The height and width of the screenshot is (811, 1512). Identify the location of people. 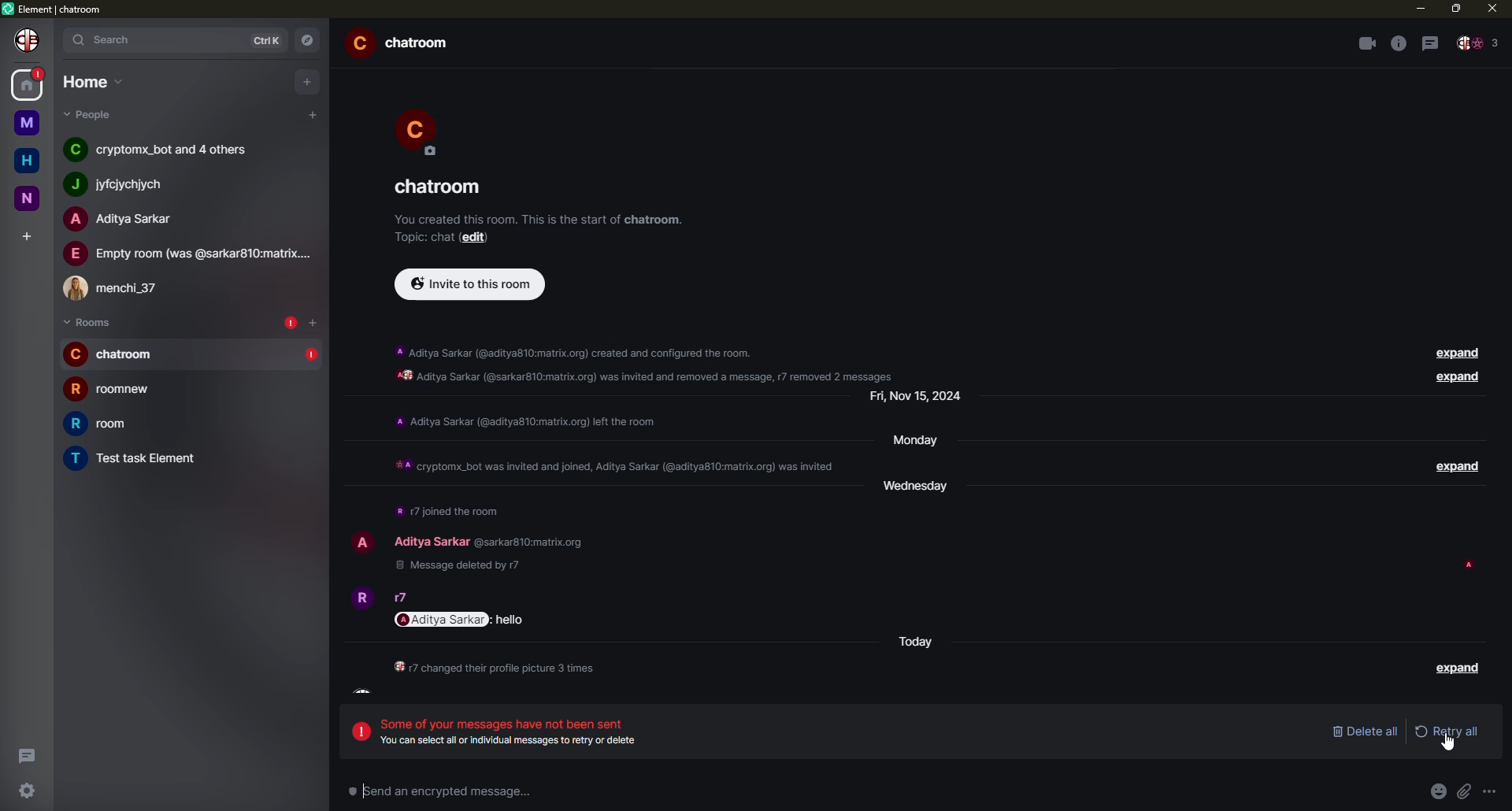
(187, 254).